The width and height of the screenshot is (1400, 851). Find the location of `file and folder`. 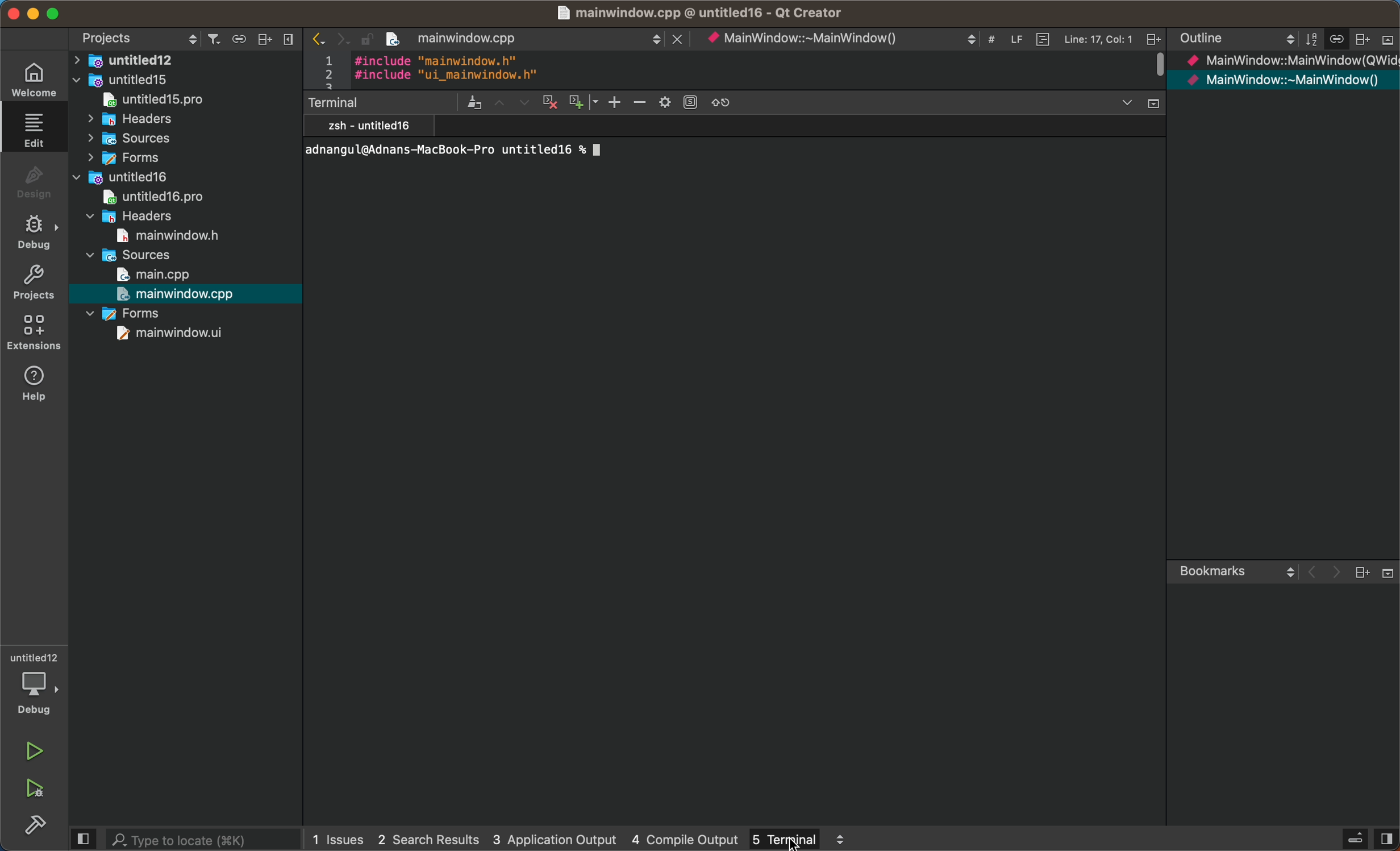

file and folder is located at coordinates (183, 138).